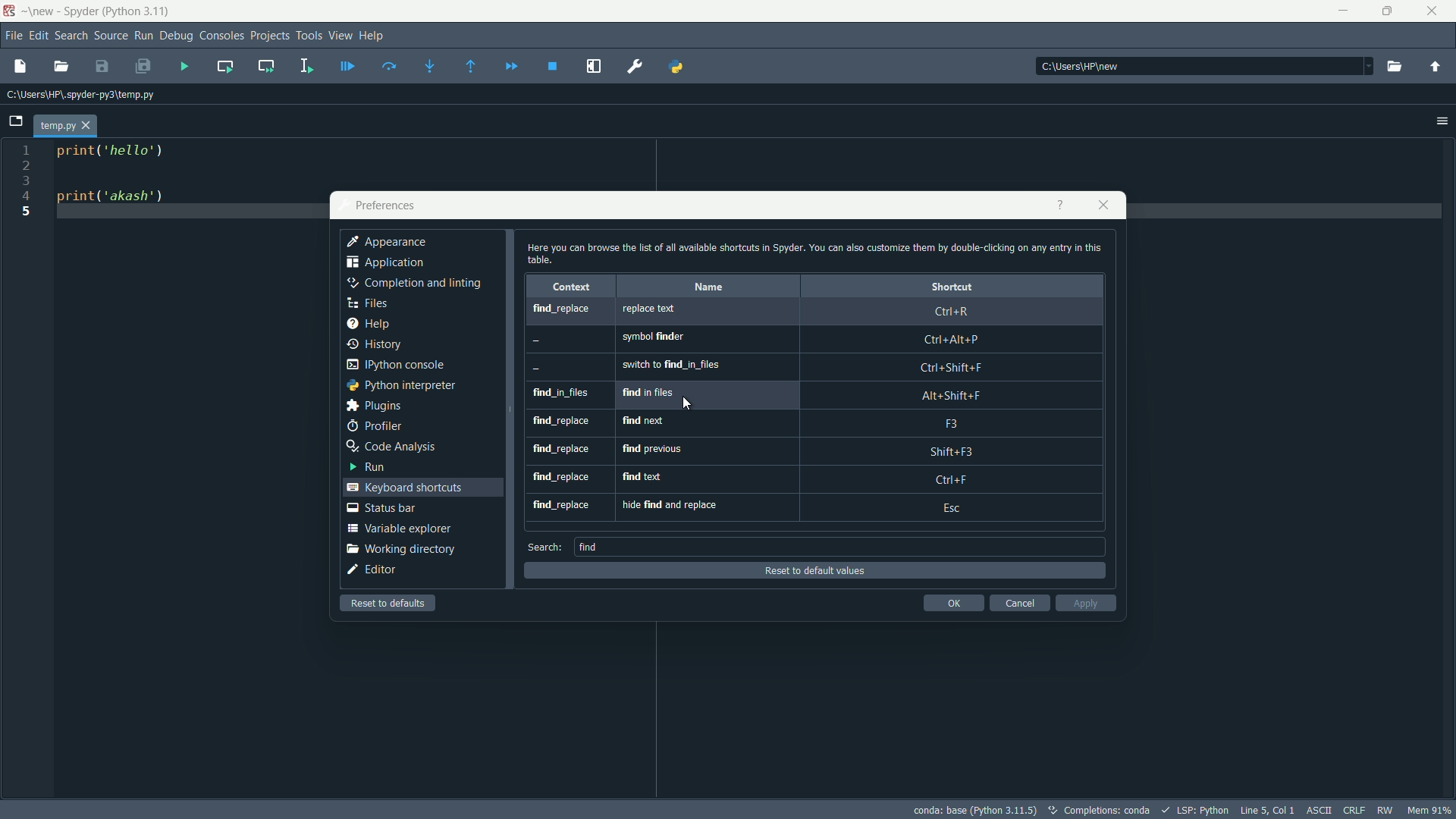  What do you see at coordinates (39, 37) in the screenshot?
I see `edit menu` at bounding box center [39, 37].